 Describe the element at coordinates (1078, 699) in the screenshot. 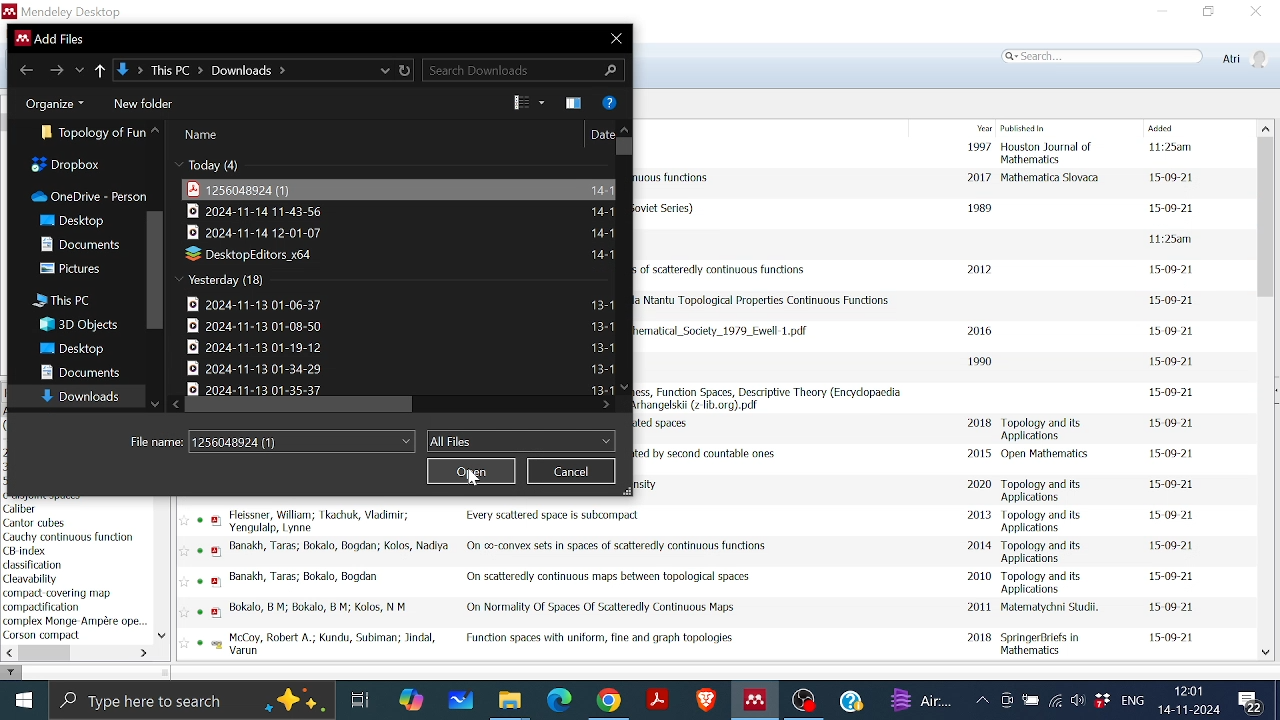

I see `Speaker/Headphone` at that location.